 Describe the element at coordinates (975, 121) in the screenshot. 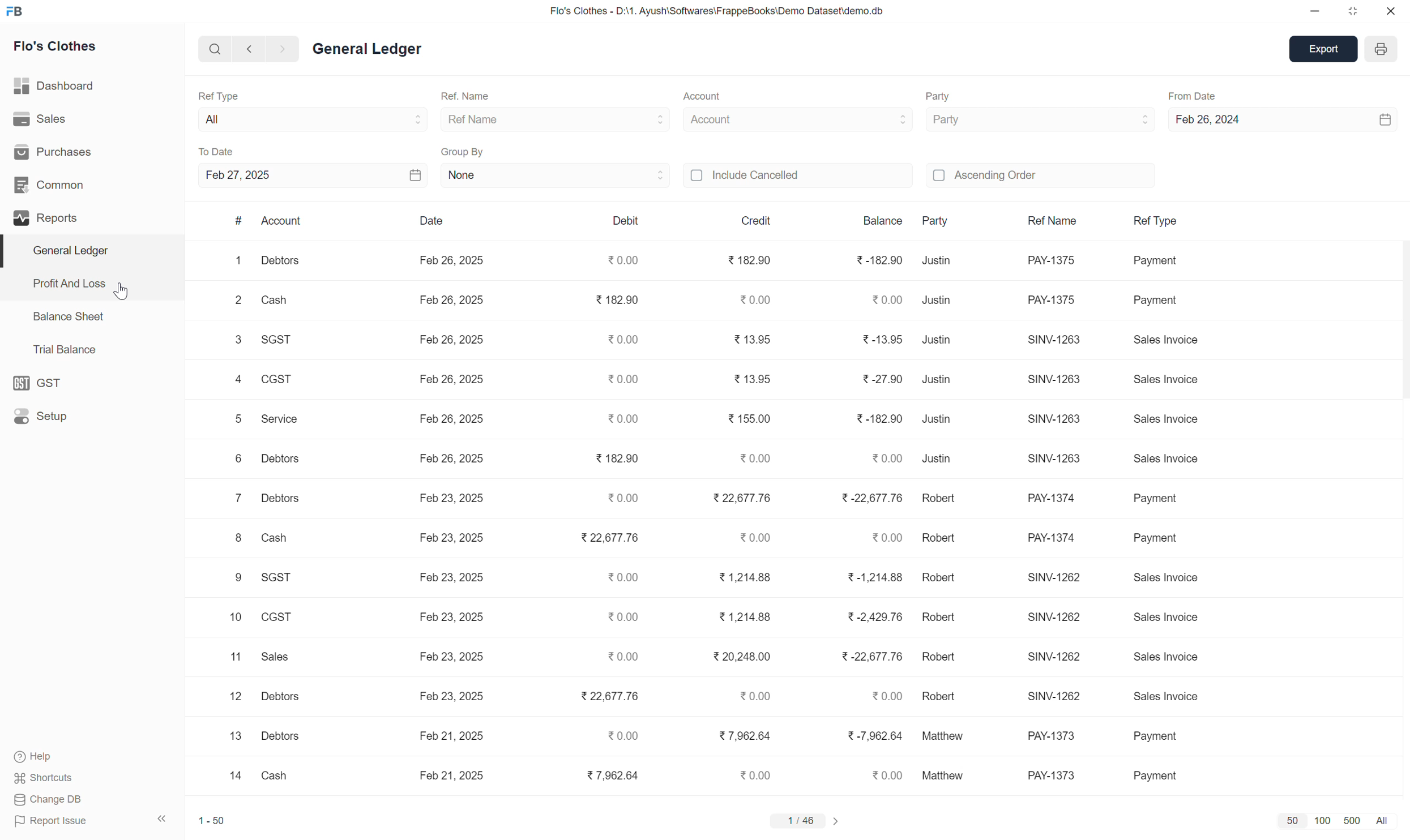

I see `Party` at that location.